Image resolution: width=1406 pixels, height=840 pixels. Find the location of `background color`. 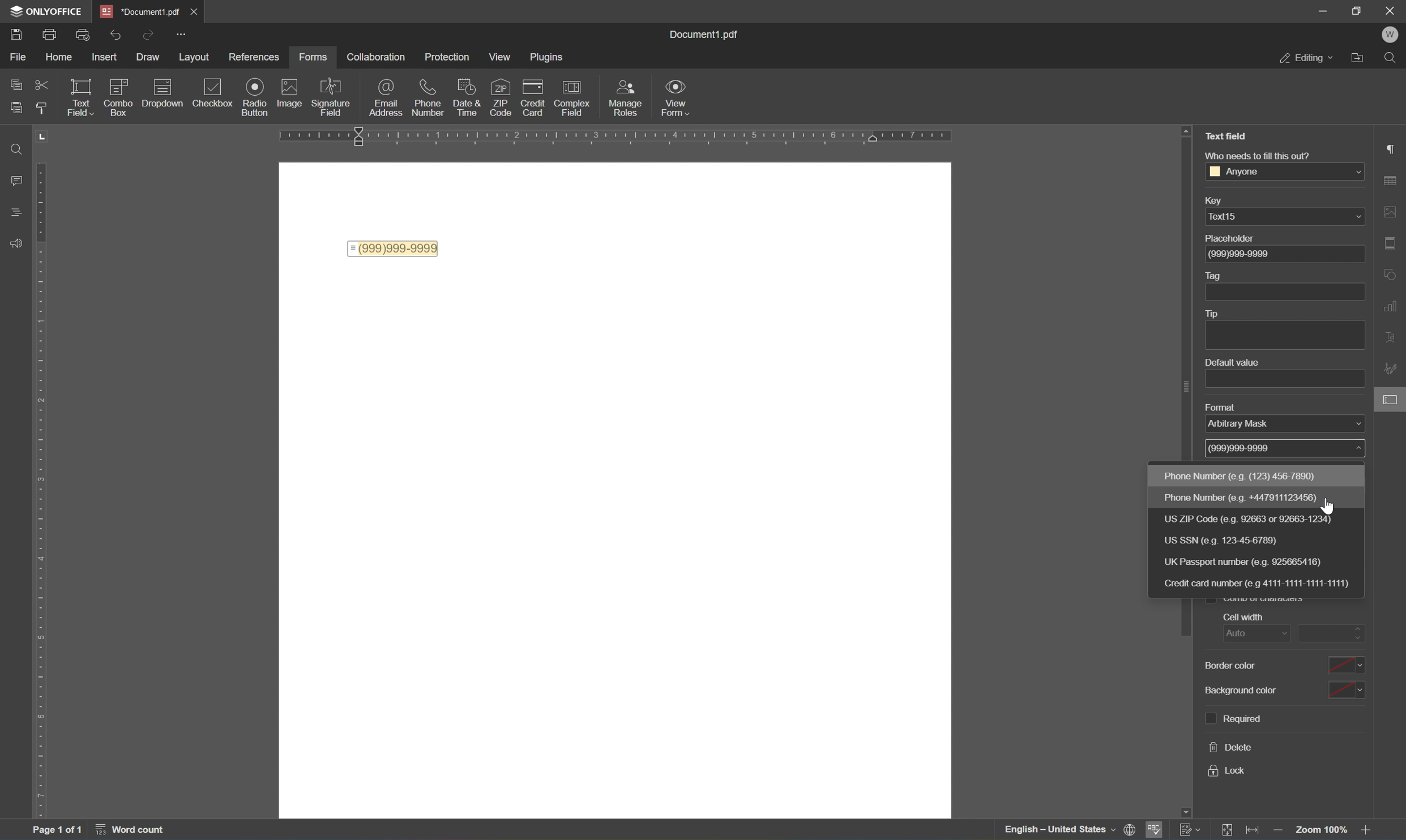

background color is located at coordinates (1290, 688).